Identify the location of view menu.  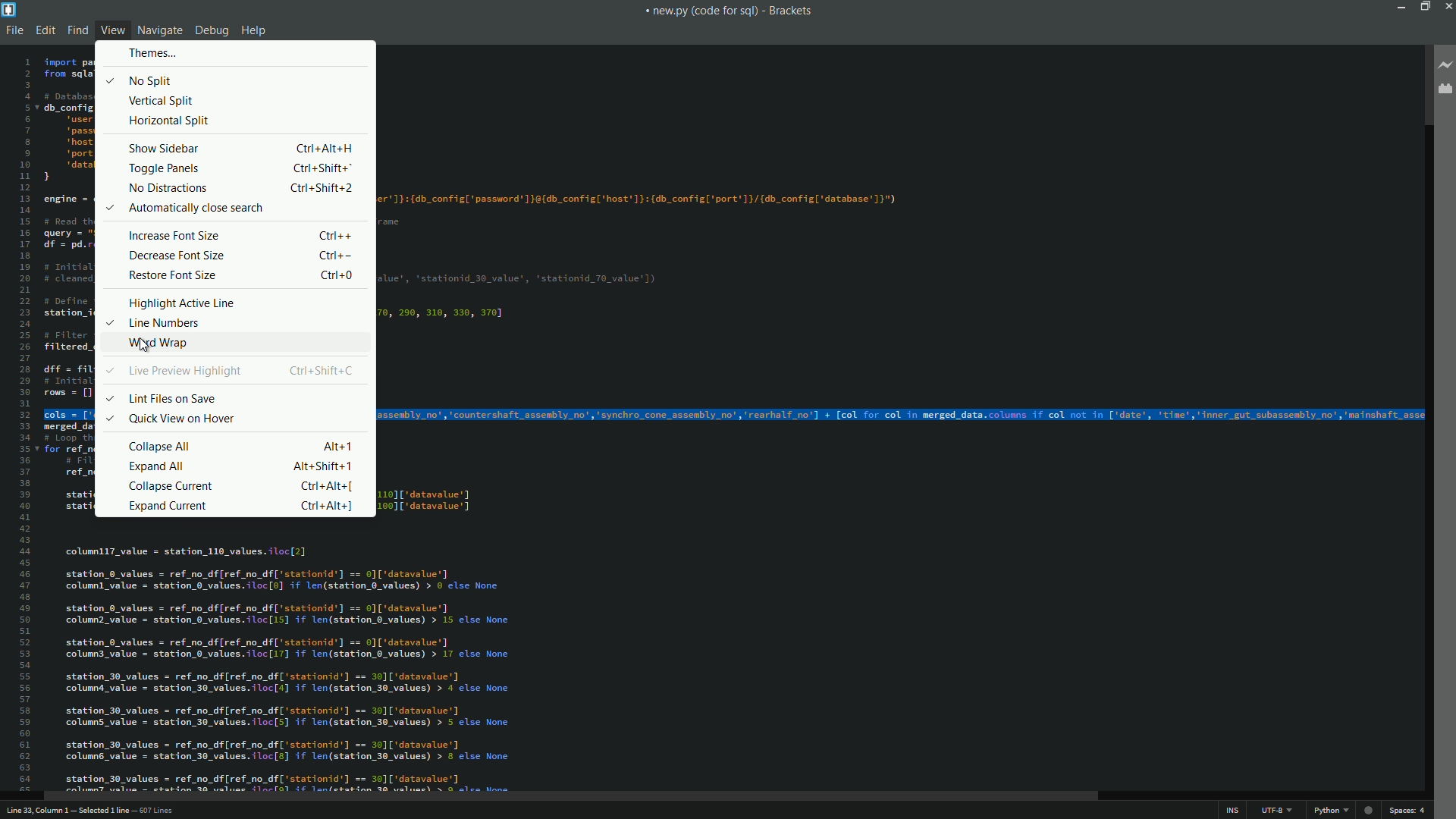
(112, 30).